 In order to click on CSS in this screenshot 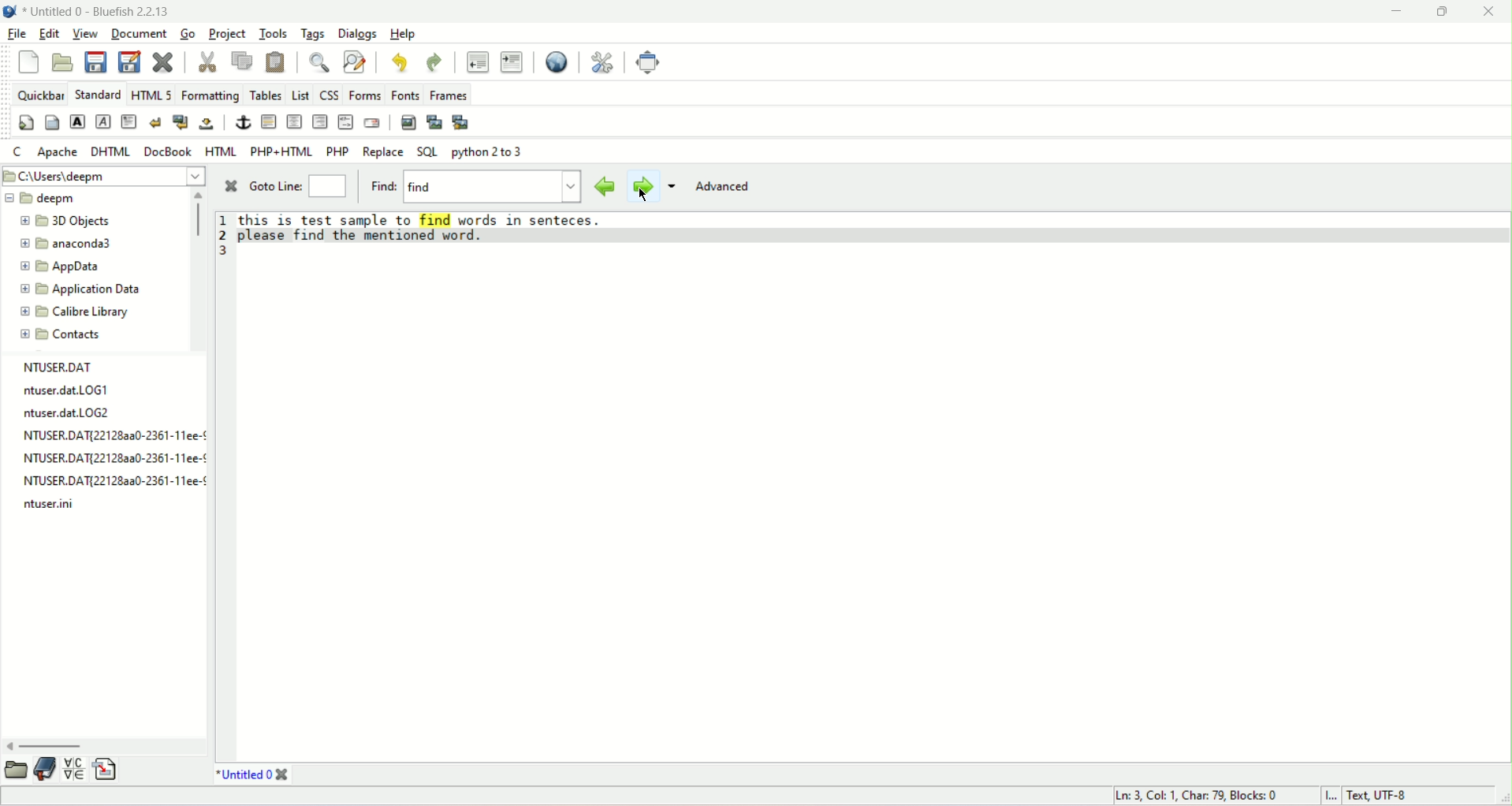, I will do `click(326, 95)`.